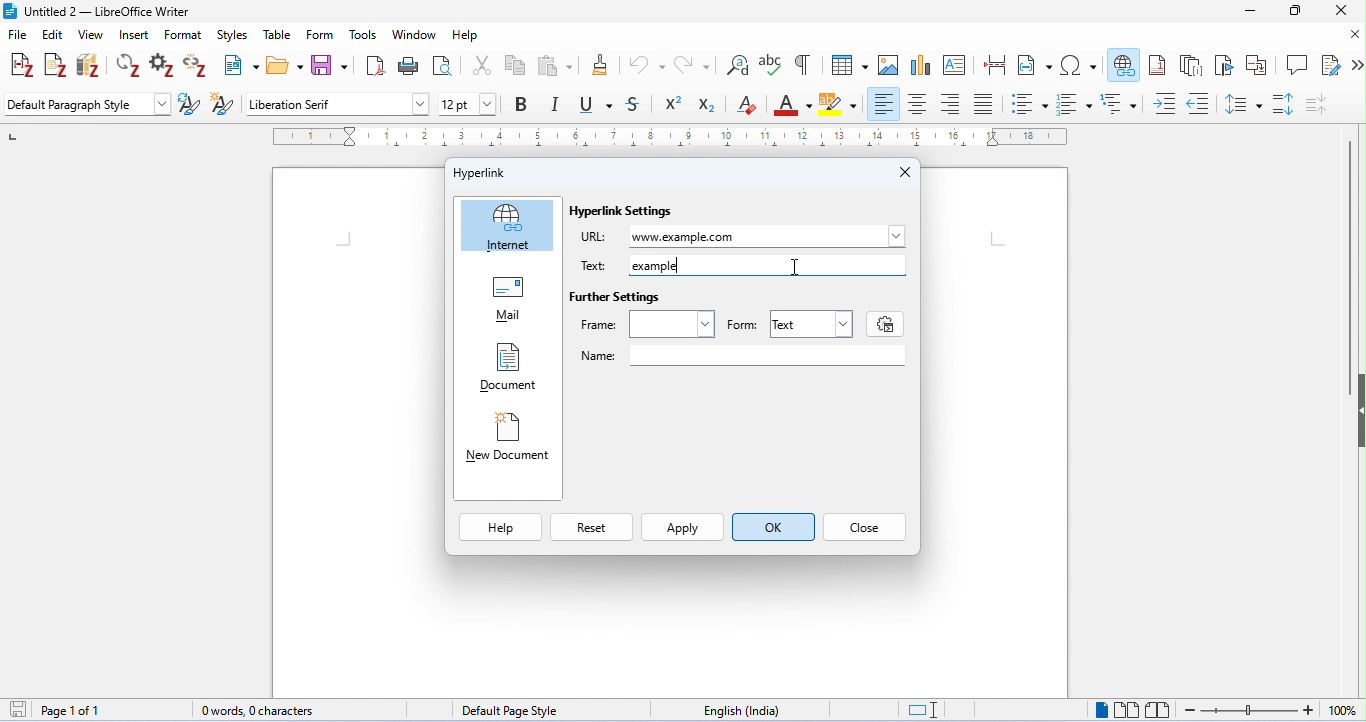 This screenshot has height=722, width=1366. What do you see at coordinates (505, 527) in the screenshot?
I see `Help` at bounding box center [505, 527].